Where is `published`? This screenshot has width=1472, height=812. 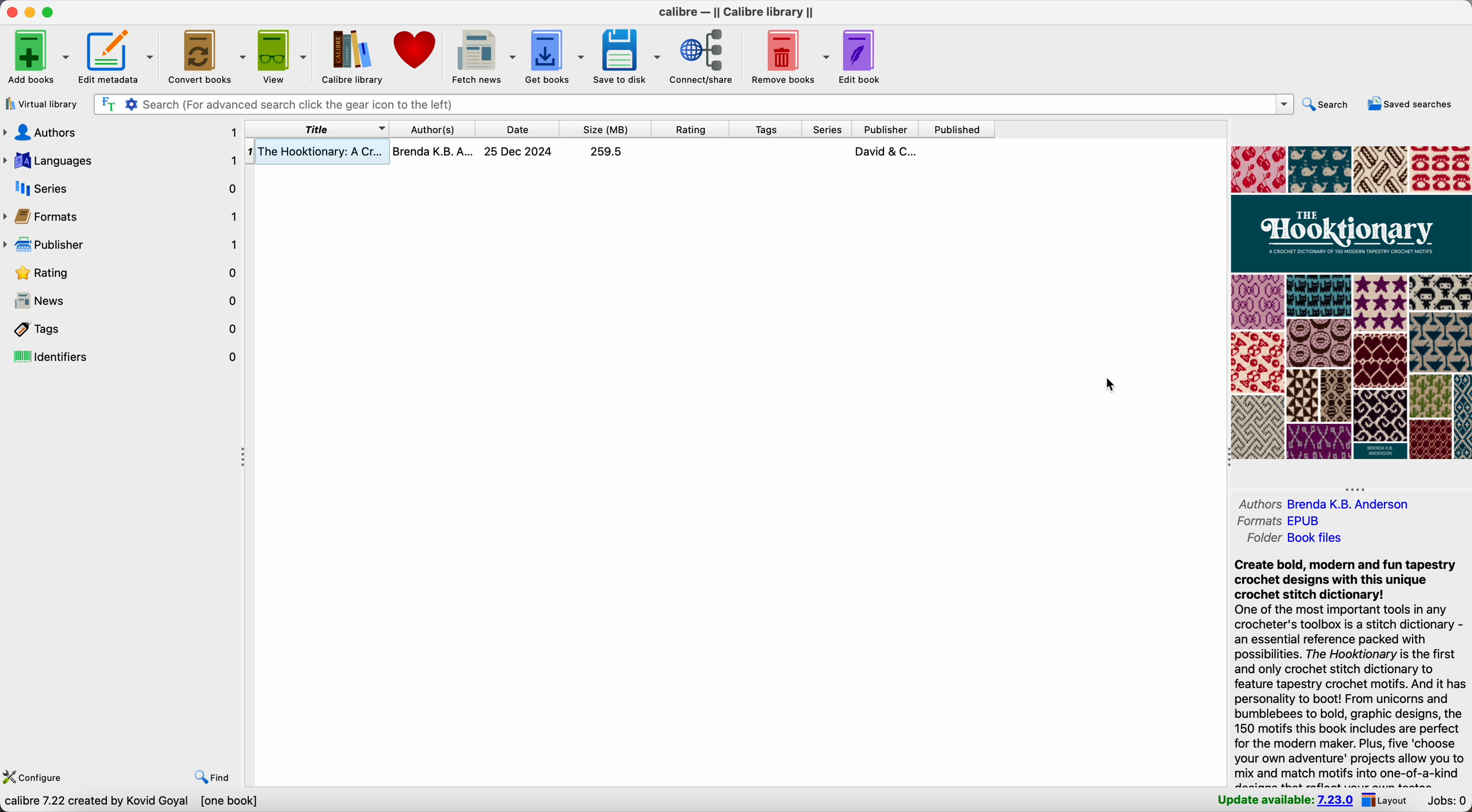
published is located at coordinates (957, 129).